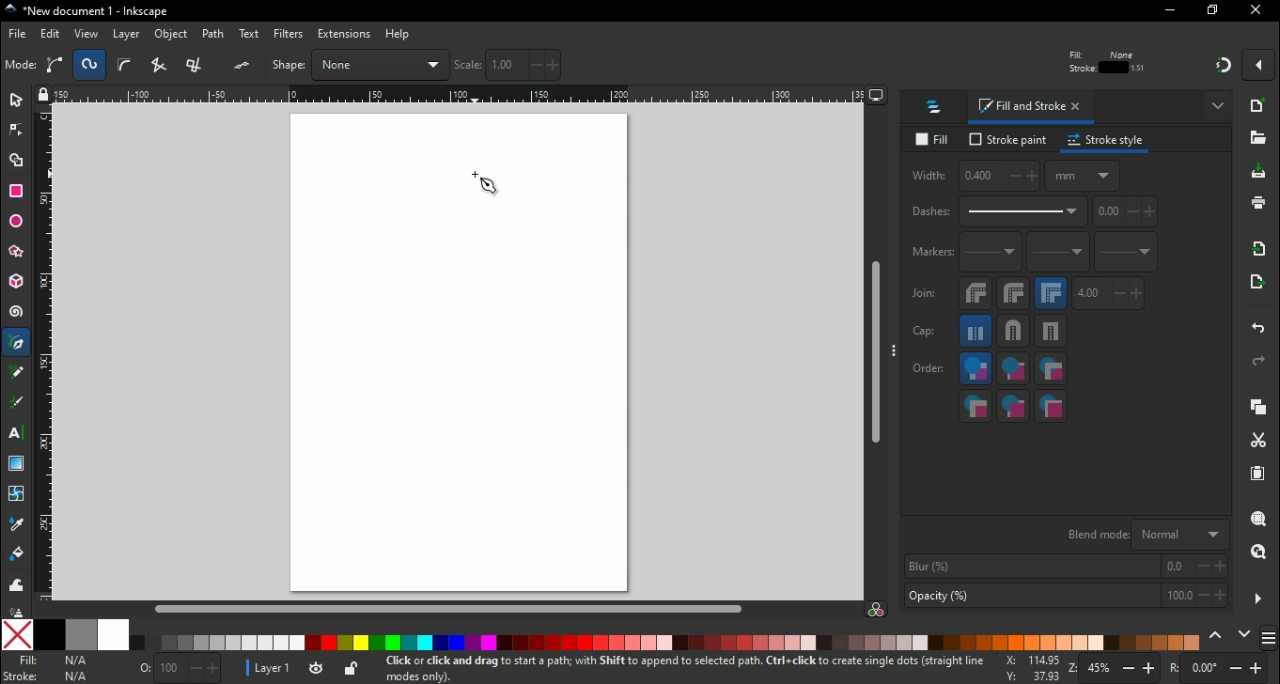  Describe the element at coordinates (1146, 535) in the screenshot. I see `blend mode` at that location.